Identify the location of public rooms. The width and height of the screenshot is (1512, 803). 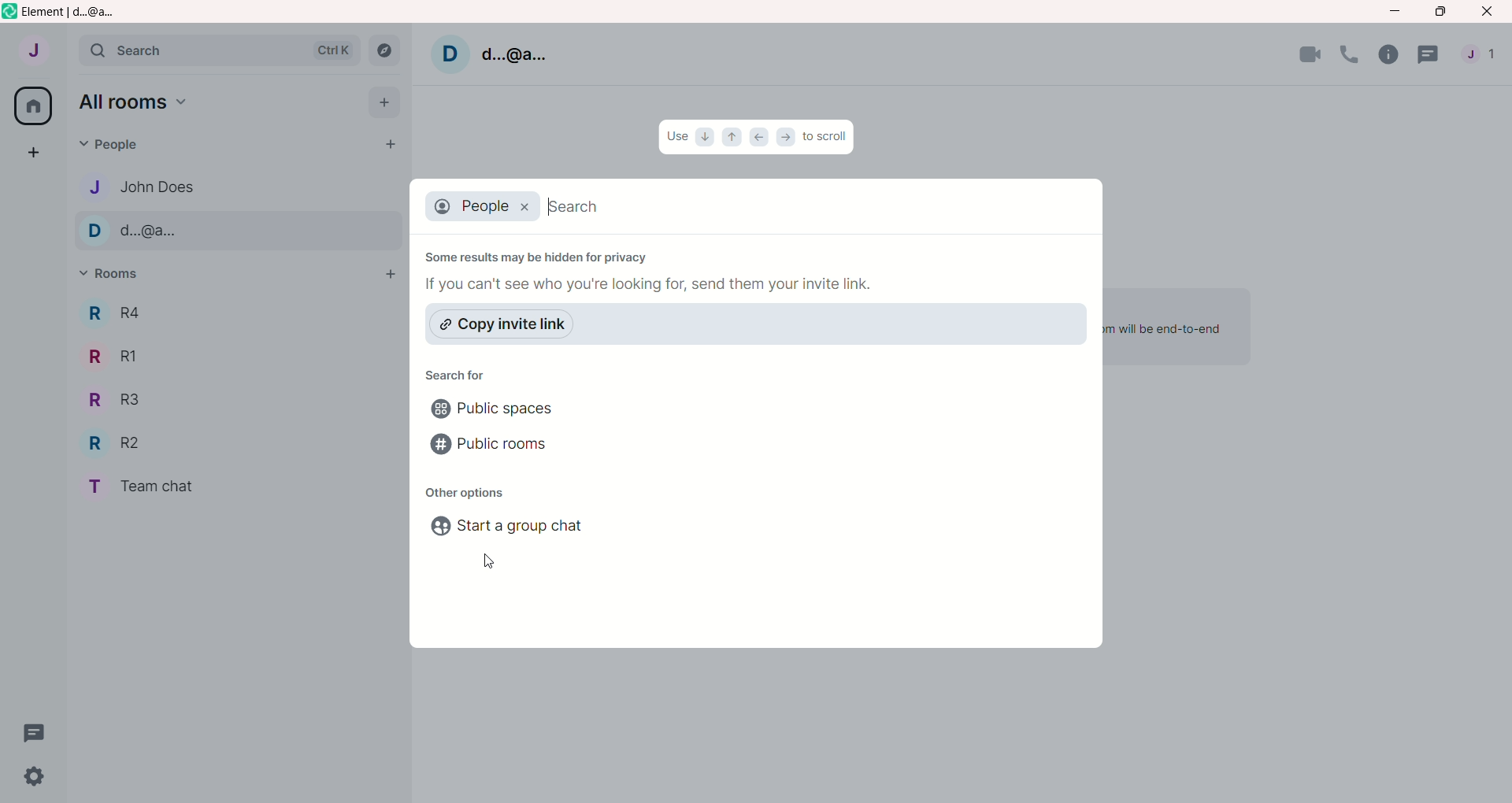
(494, 444).